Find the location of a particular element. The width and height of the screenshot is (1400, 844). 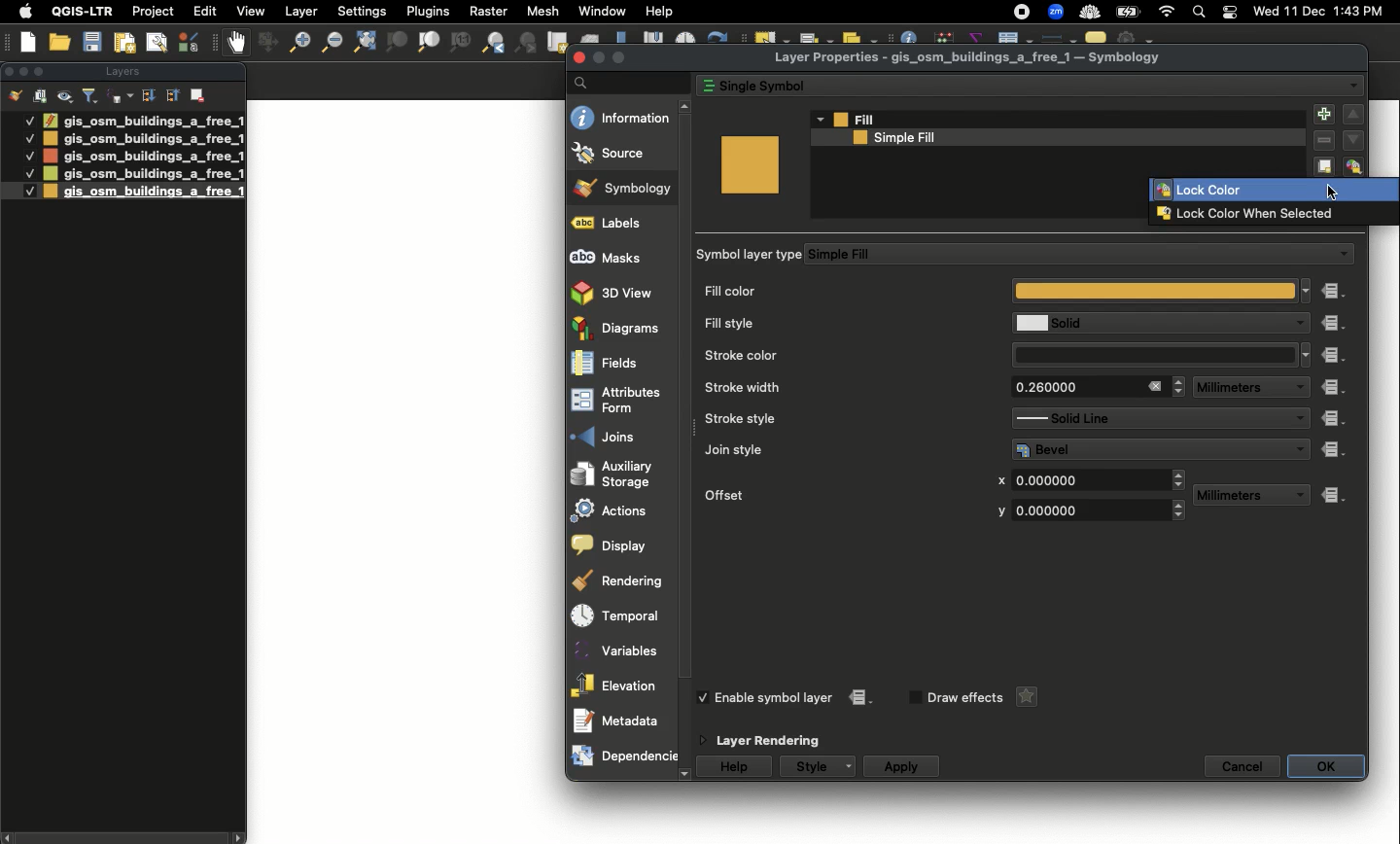

Drop down is located at coordinates (1297, 496).